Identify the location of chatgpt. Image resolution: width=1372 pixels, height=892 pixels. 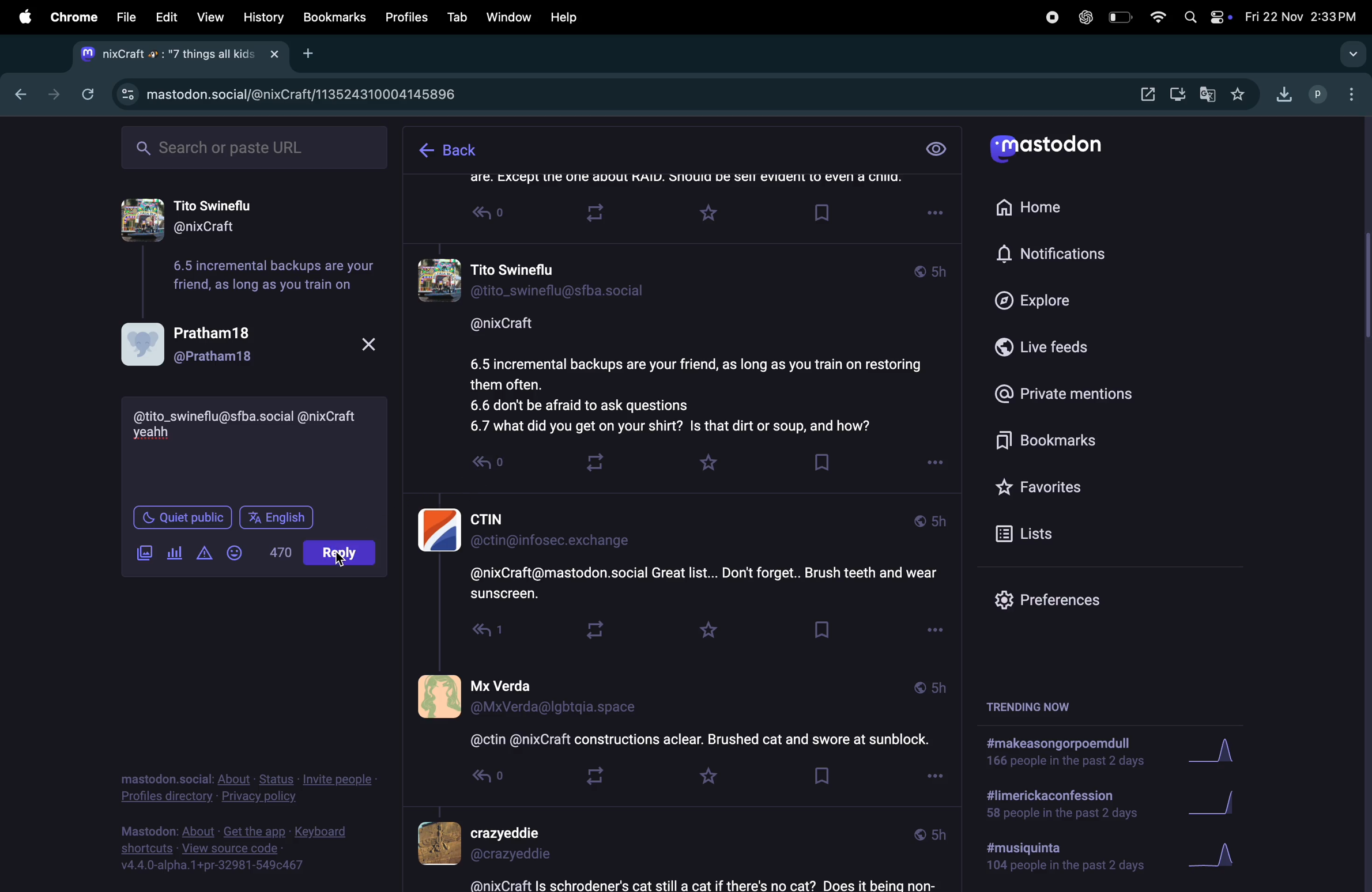
(1083, 17).